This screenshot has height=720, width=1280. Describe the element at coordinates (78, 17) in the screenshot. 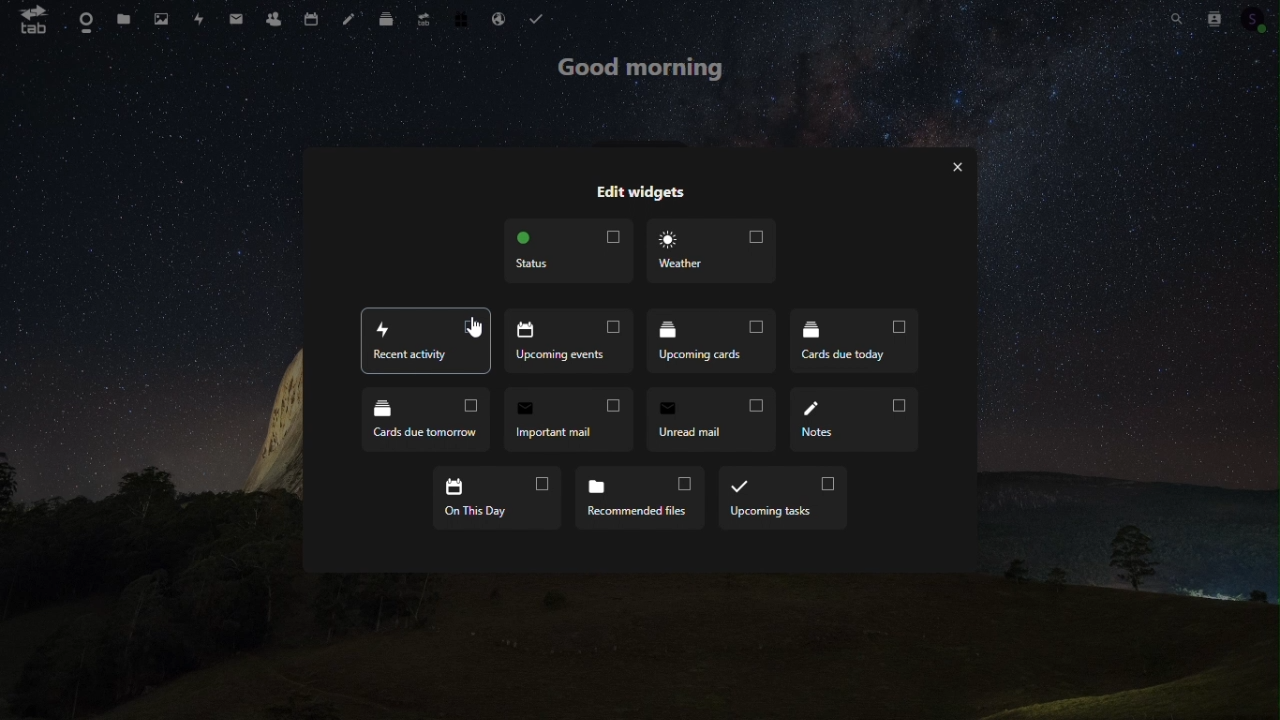

I see `Dashboard` at that location.